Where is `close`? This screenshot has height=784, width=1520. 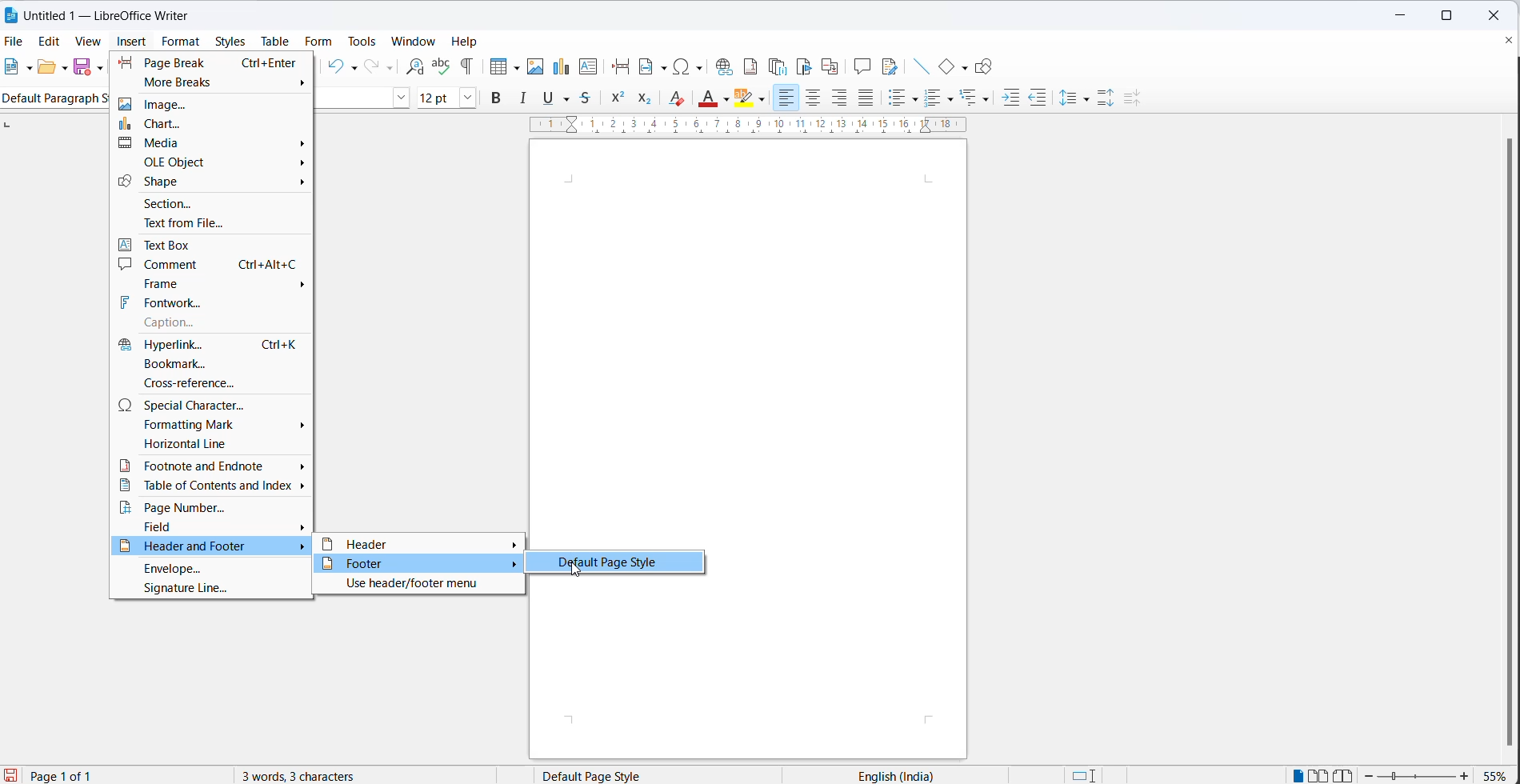 close is located at coordinates (1501, 40).